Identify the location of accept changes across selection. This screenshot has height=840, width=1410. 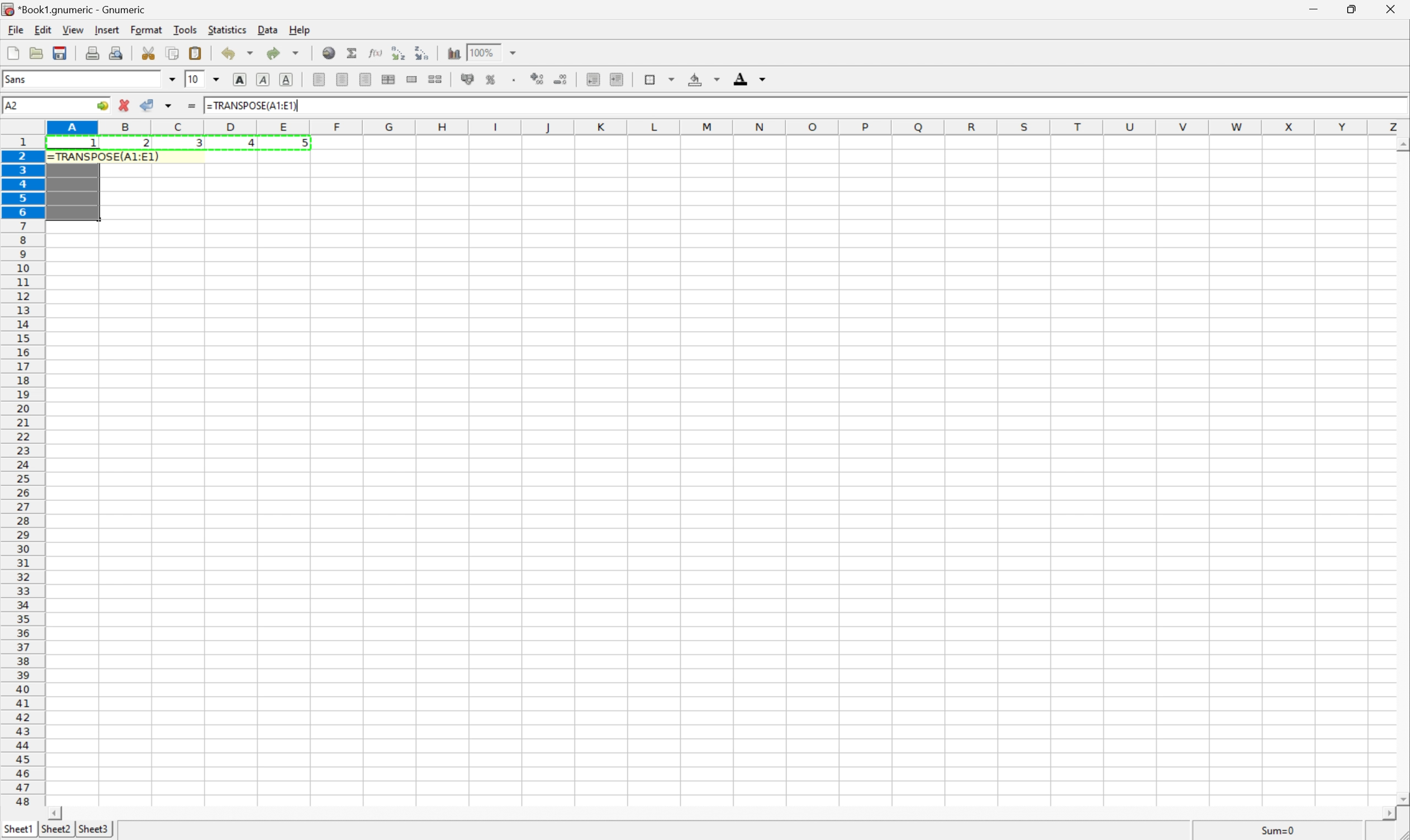
(168, 106).